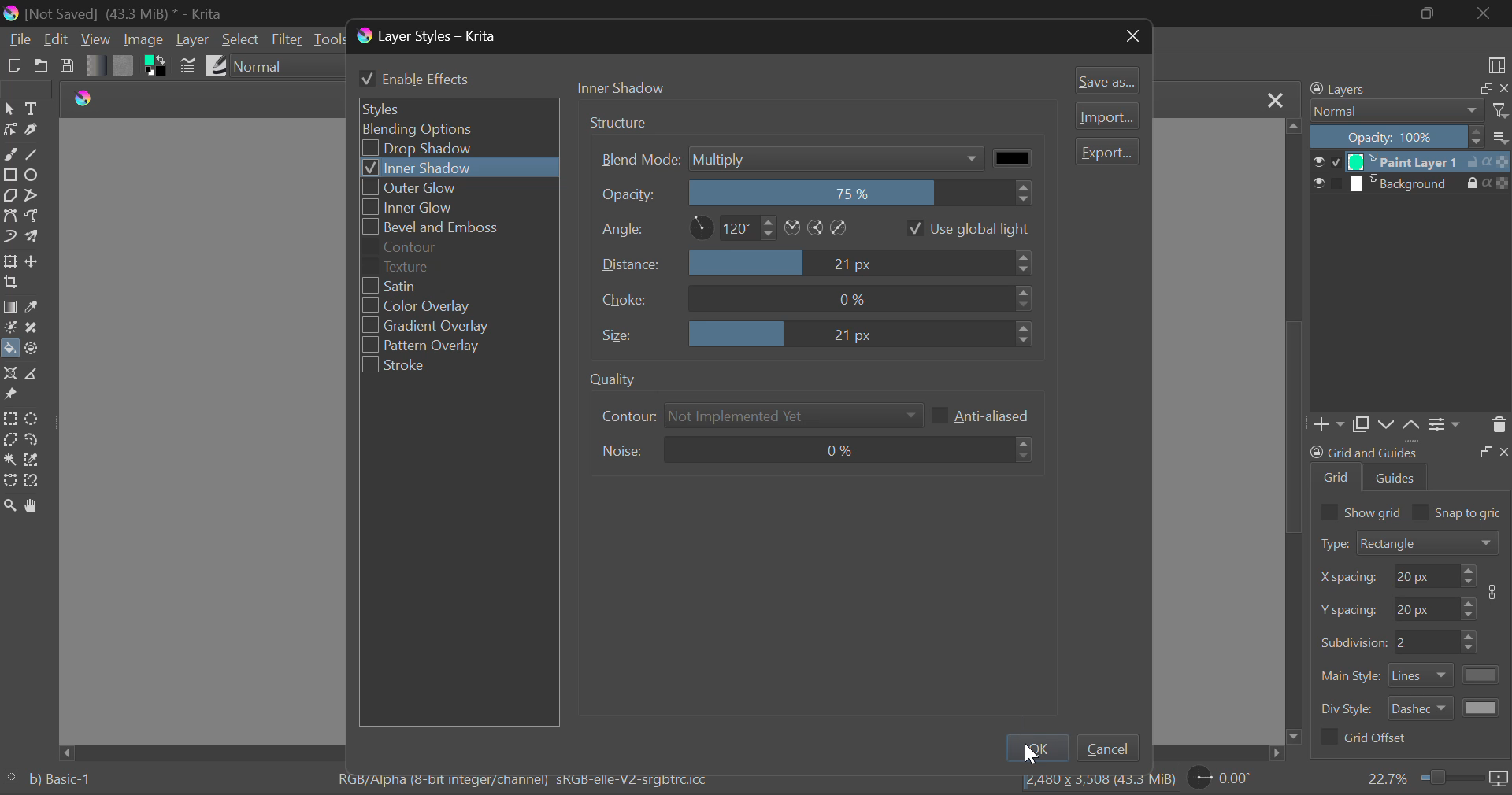 The image size is (1512, 795). Describe the element at coordinates (1431, 13) in the screenshot. I see `Minimize` at that location.